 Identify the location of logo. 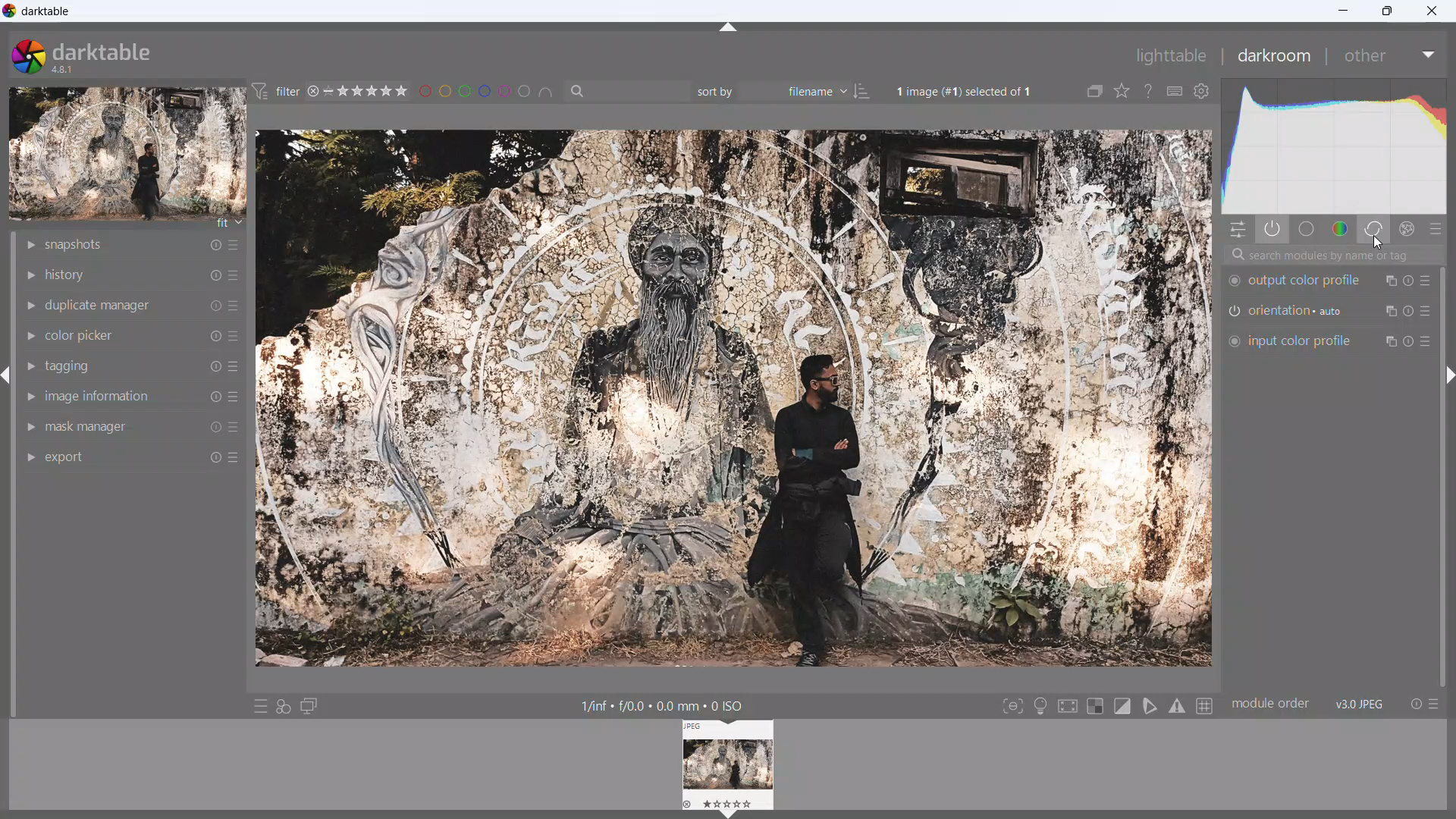
(10, 11).